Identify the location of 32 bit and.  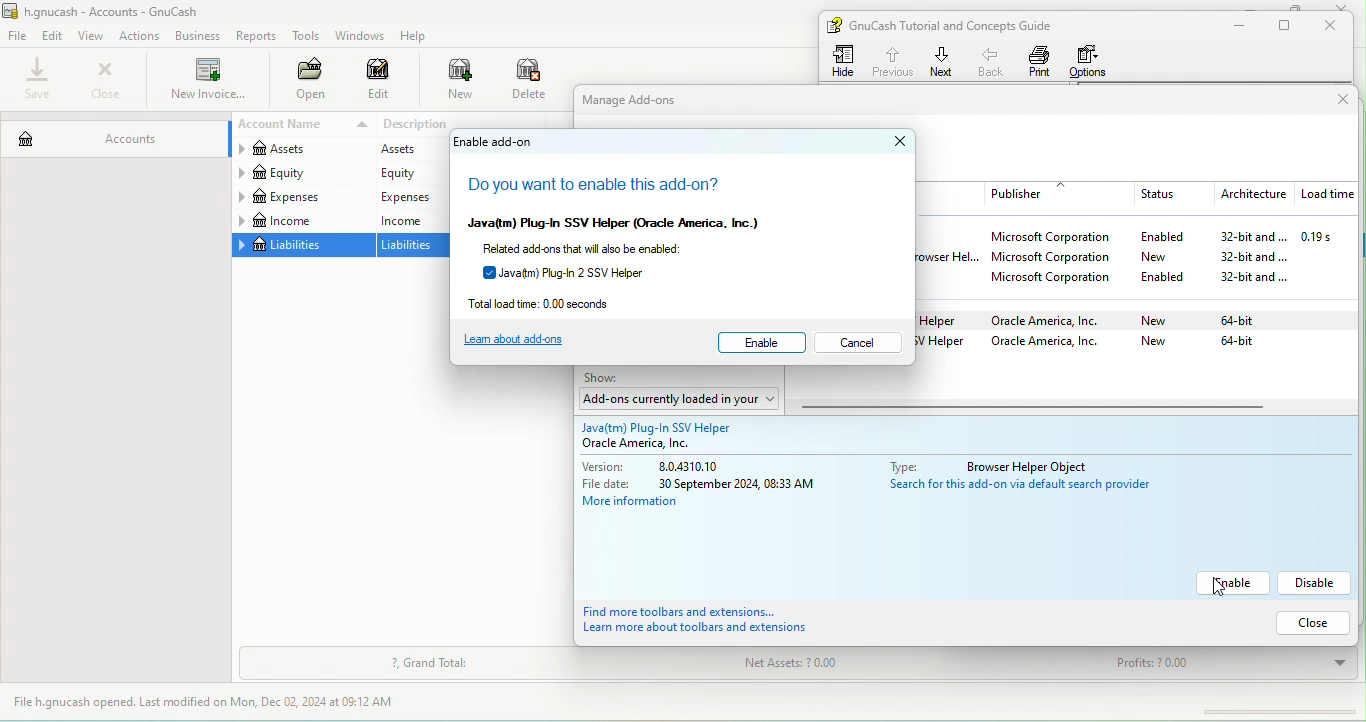
(1253, 257).